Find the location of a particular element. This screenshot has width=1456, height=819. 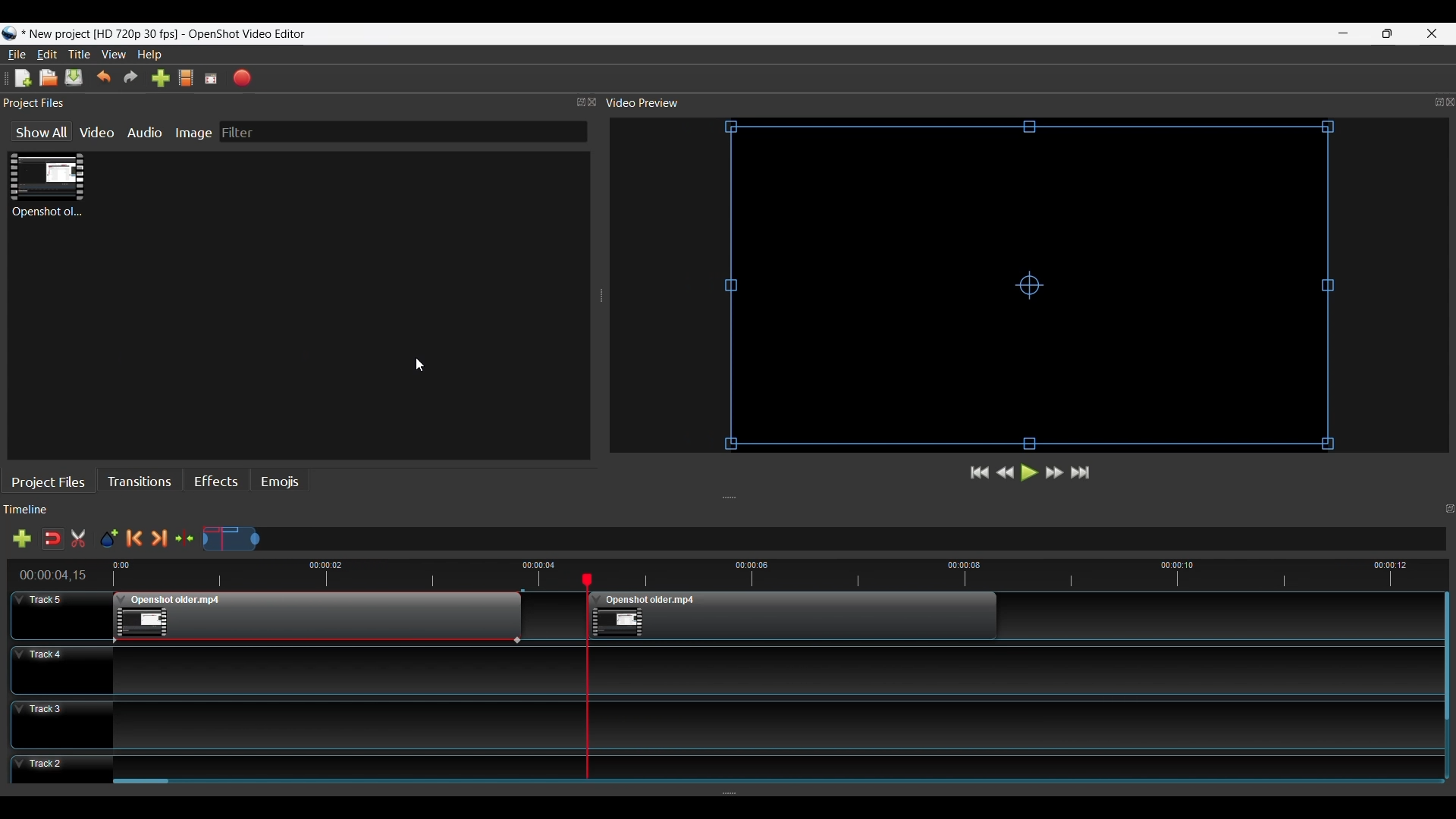

New File is located at coordinates (20, 77).